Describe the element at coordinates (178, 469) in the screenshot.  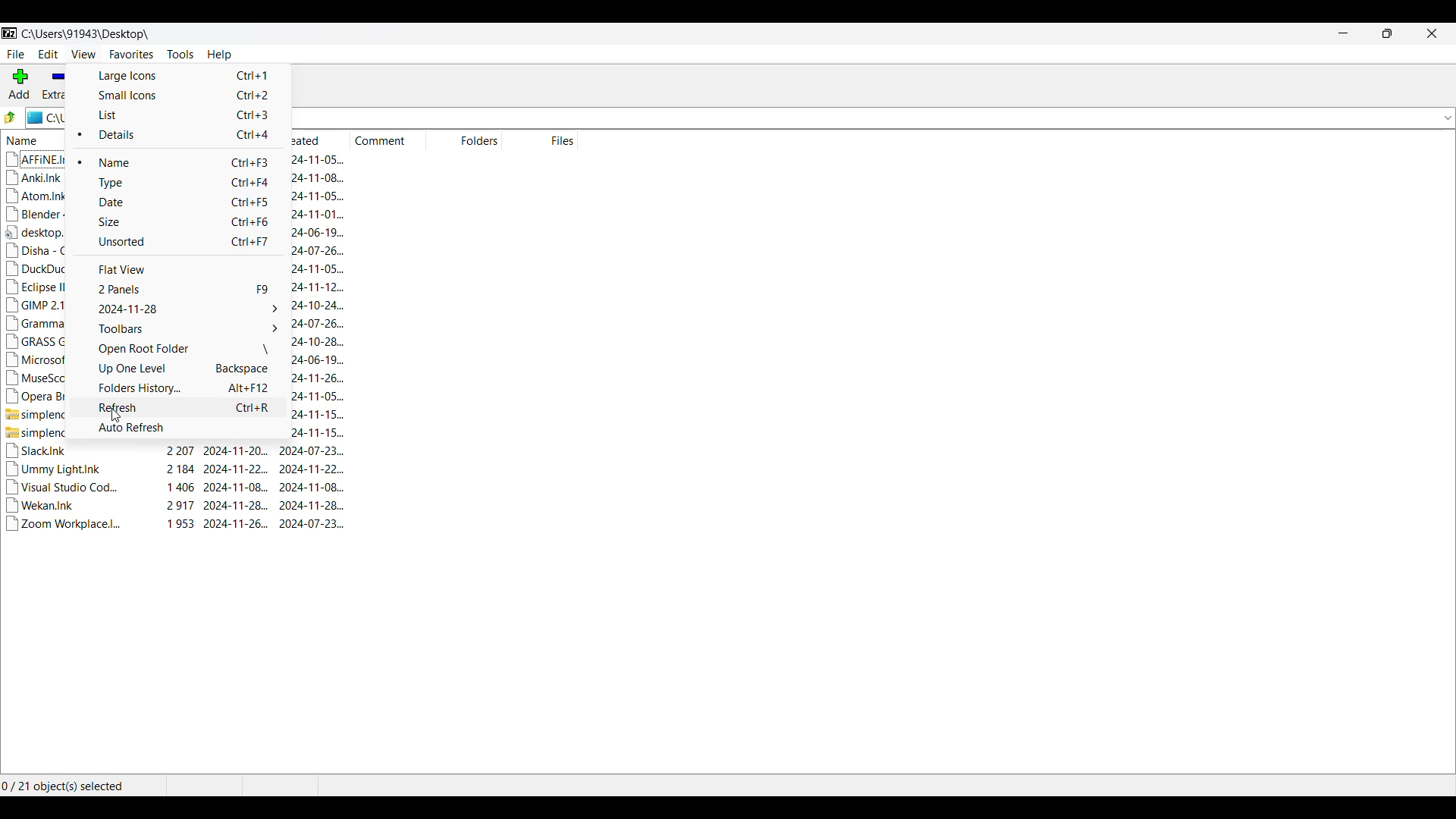
I see `Ummy Light.Ink 2184 2024-11-22... 2024-11-22...` at that location.